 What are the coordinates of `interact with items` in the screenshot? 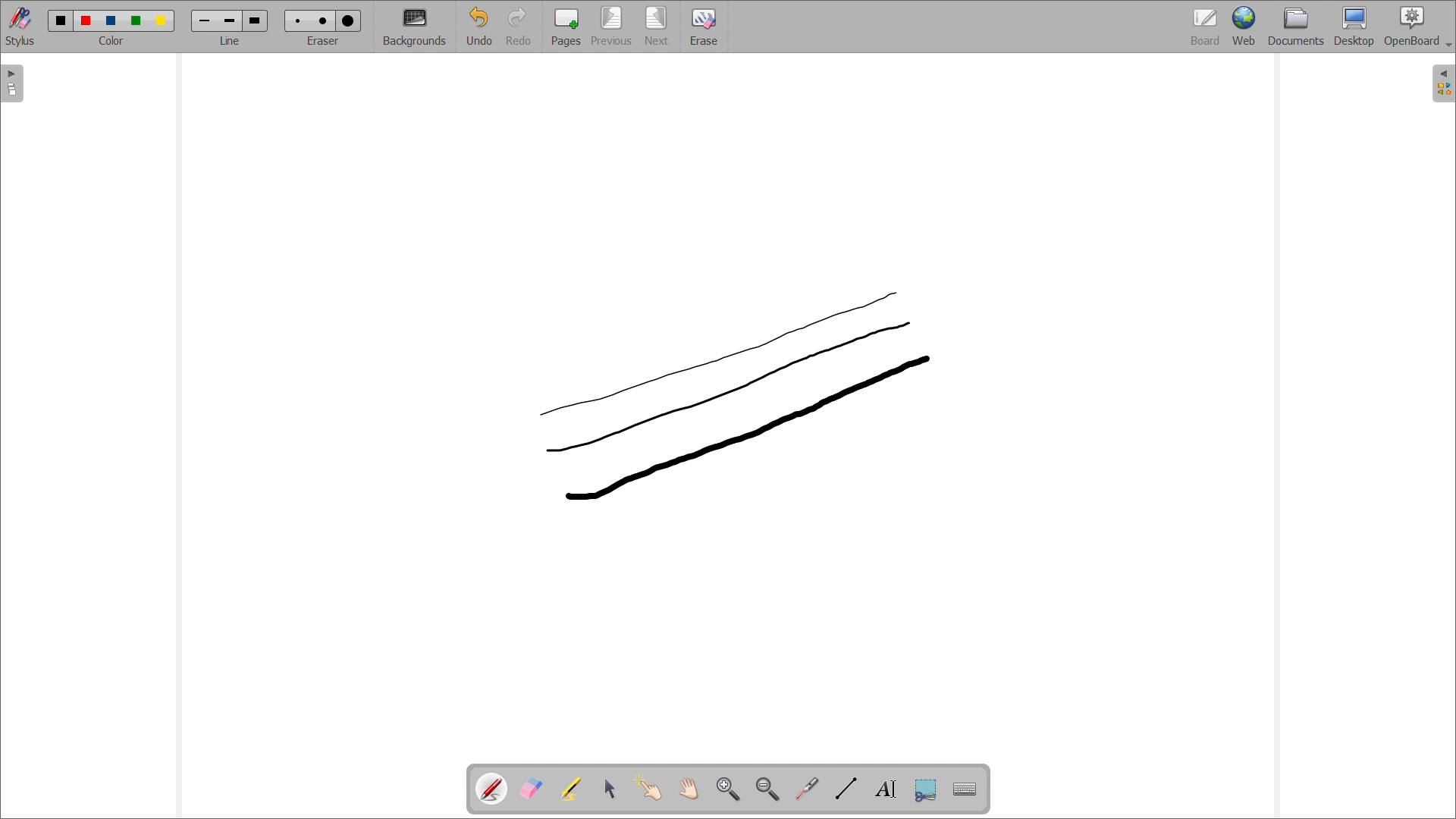 It's located at (650, 788).